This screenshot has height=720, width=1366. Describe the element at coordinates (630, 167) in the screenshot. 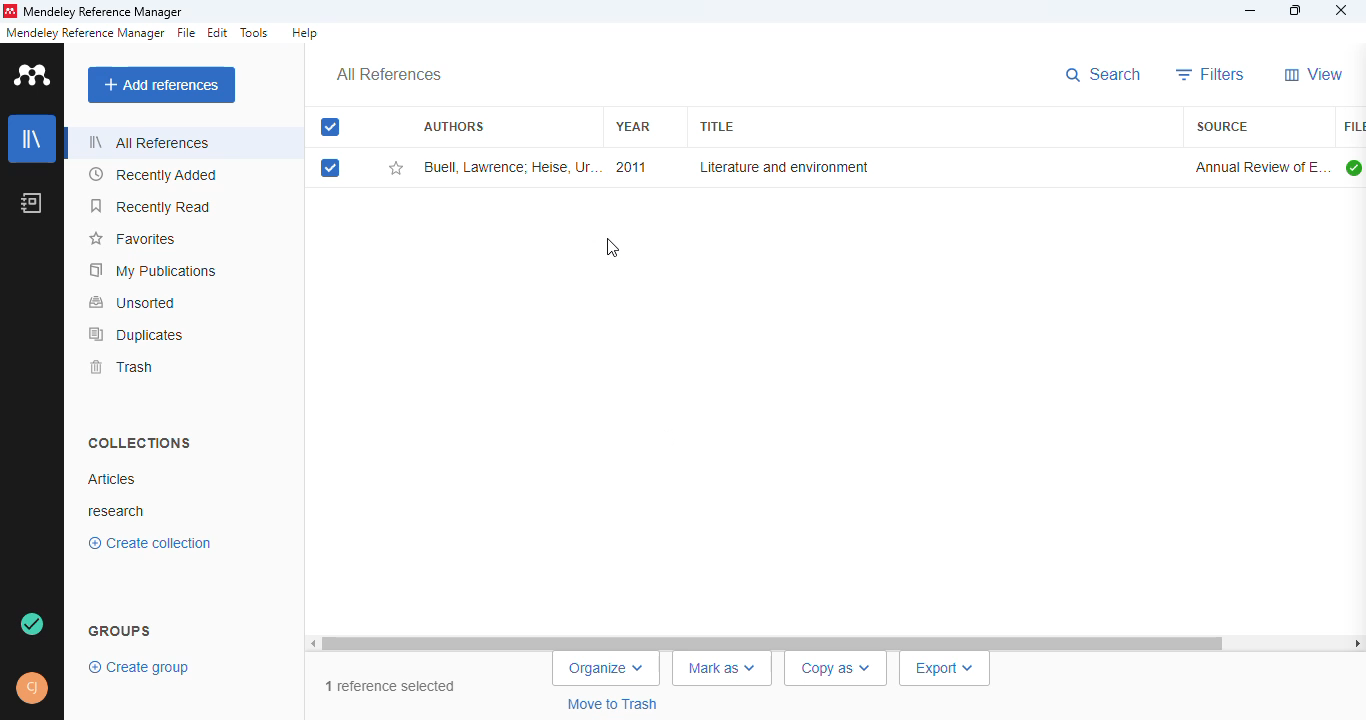

I see `2011` at that location.